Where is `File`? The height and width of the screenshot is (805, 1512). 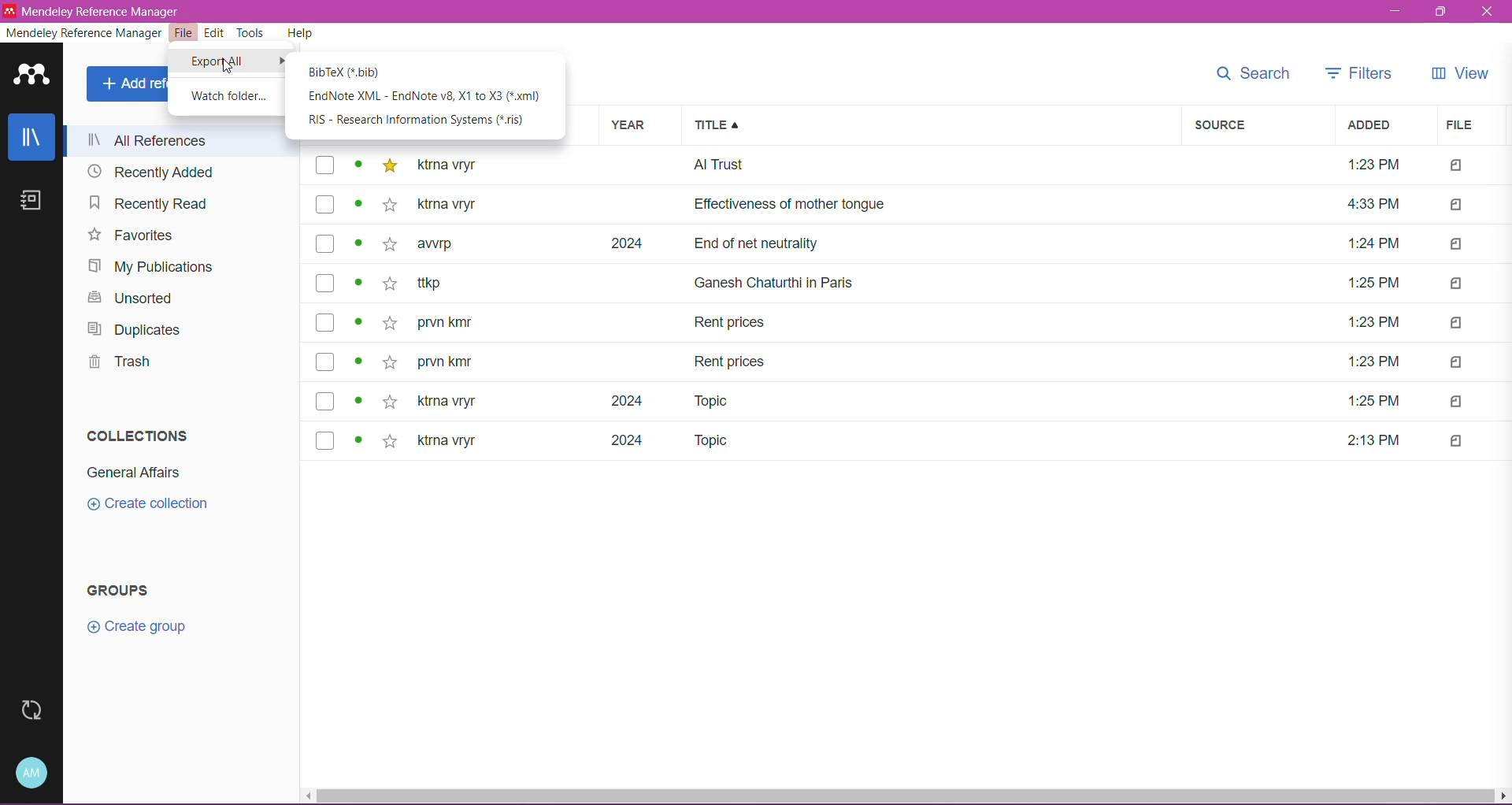
File is located at coordinates (1467, 126).